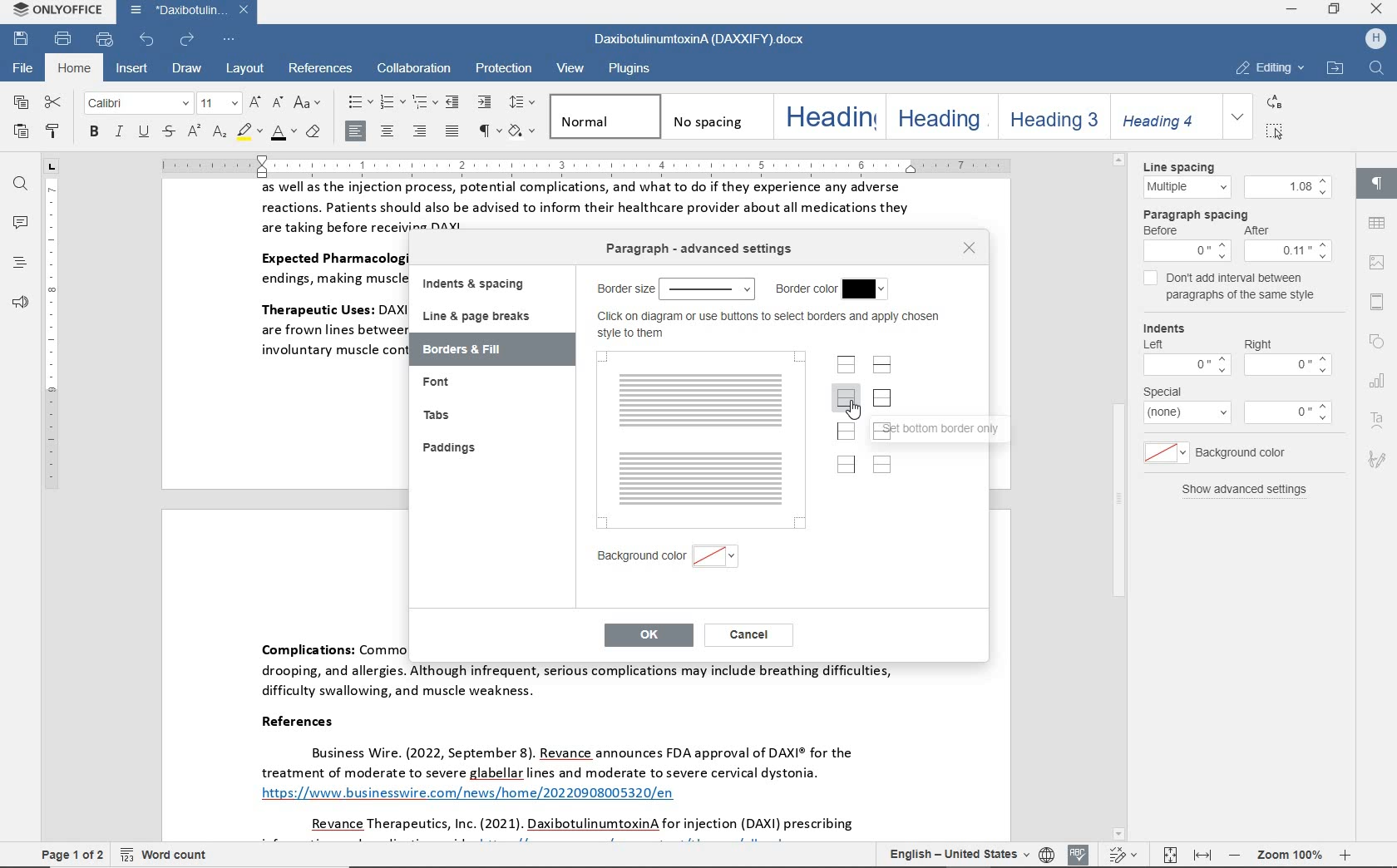 This screenshot has width=1397, height=868. I want to click on feedback & support, so click(17, 303).